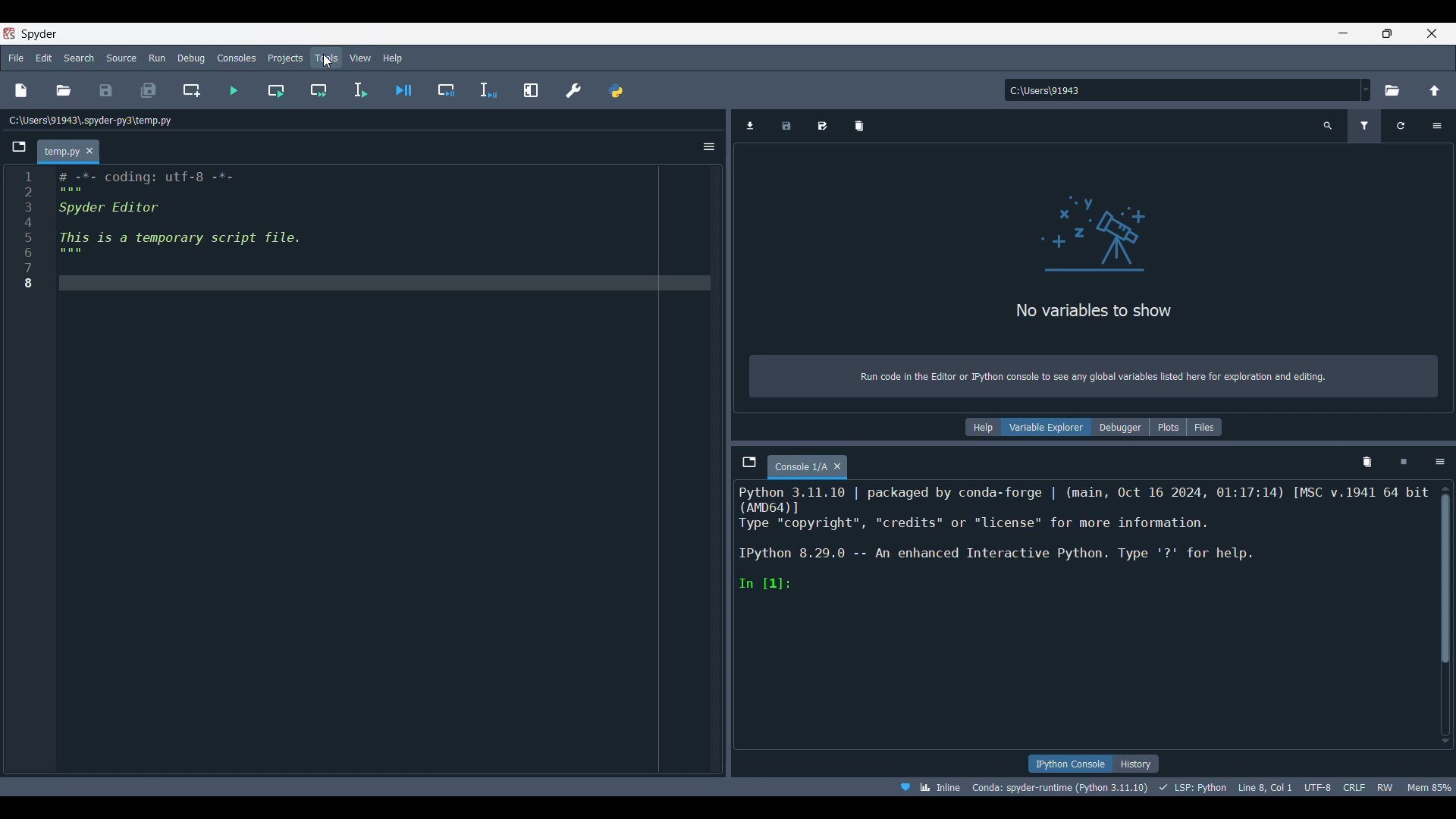 Image resolution: width=1456 pixels, height=819 pixels. I want to click on Current tab highlighted, so click(58, 150).